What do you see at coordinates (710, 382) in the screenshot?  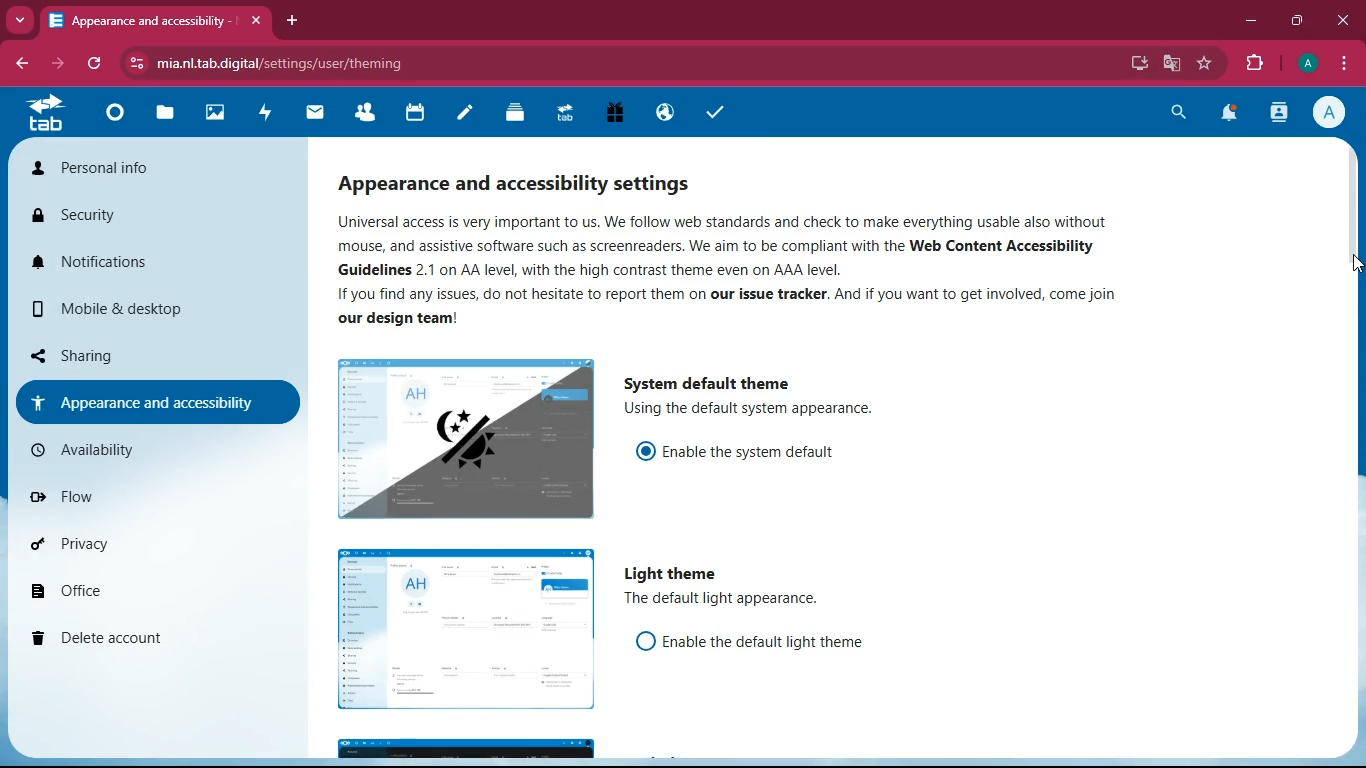 I see `system default` at bounding box center [710, 382].